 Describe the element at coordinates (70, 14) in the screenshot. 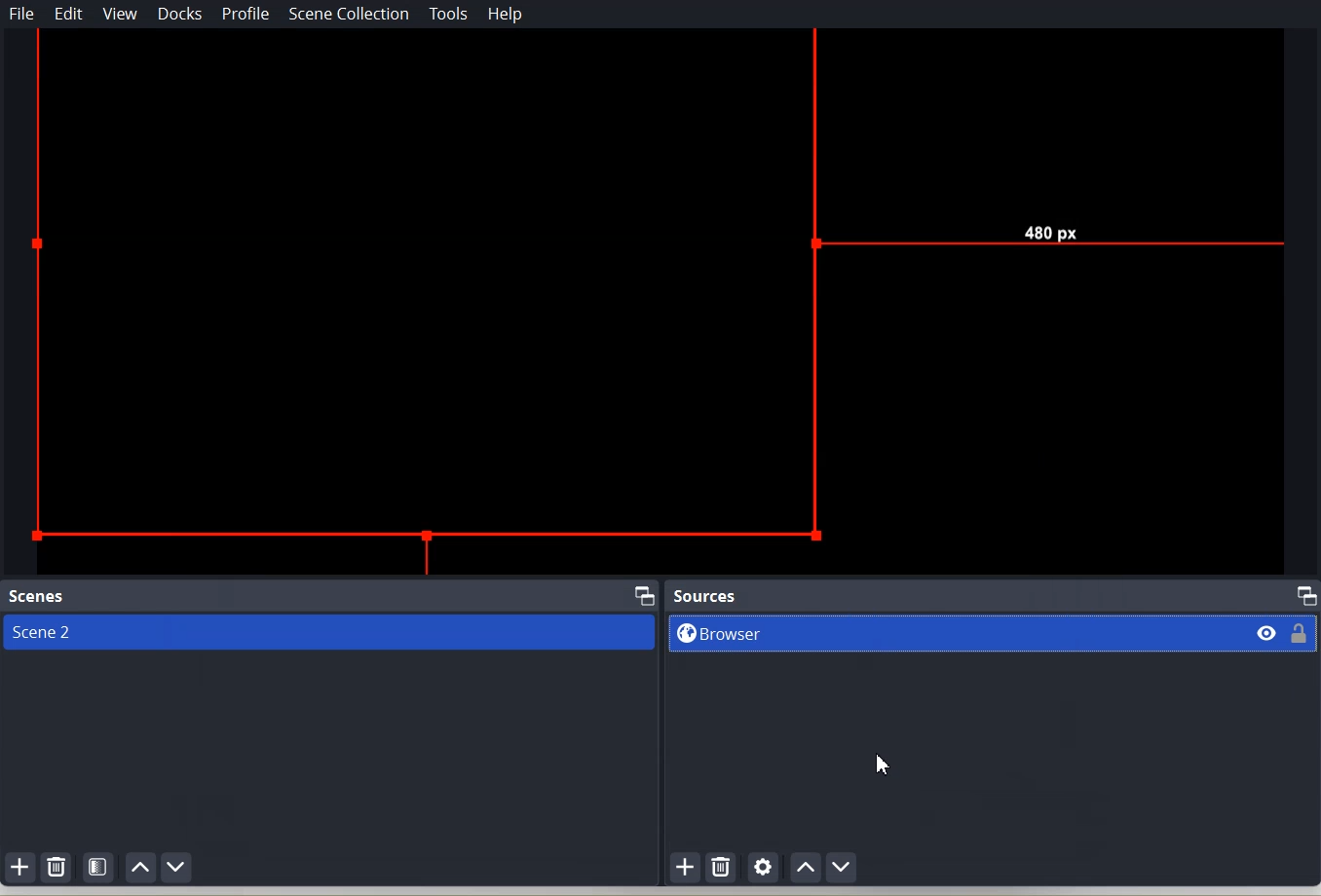

I see `Edit` at that location.